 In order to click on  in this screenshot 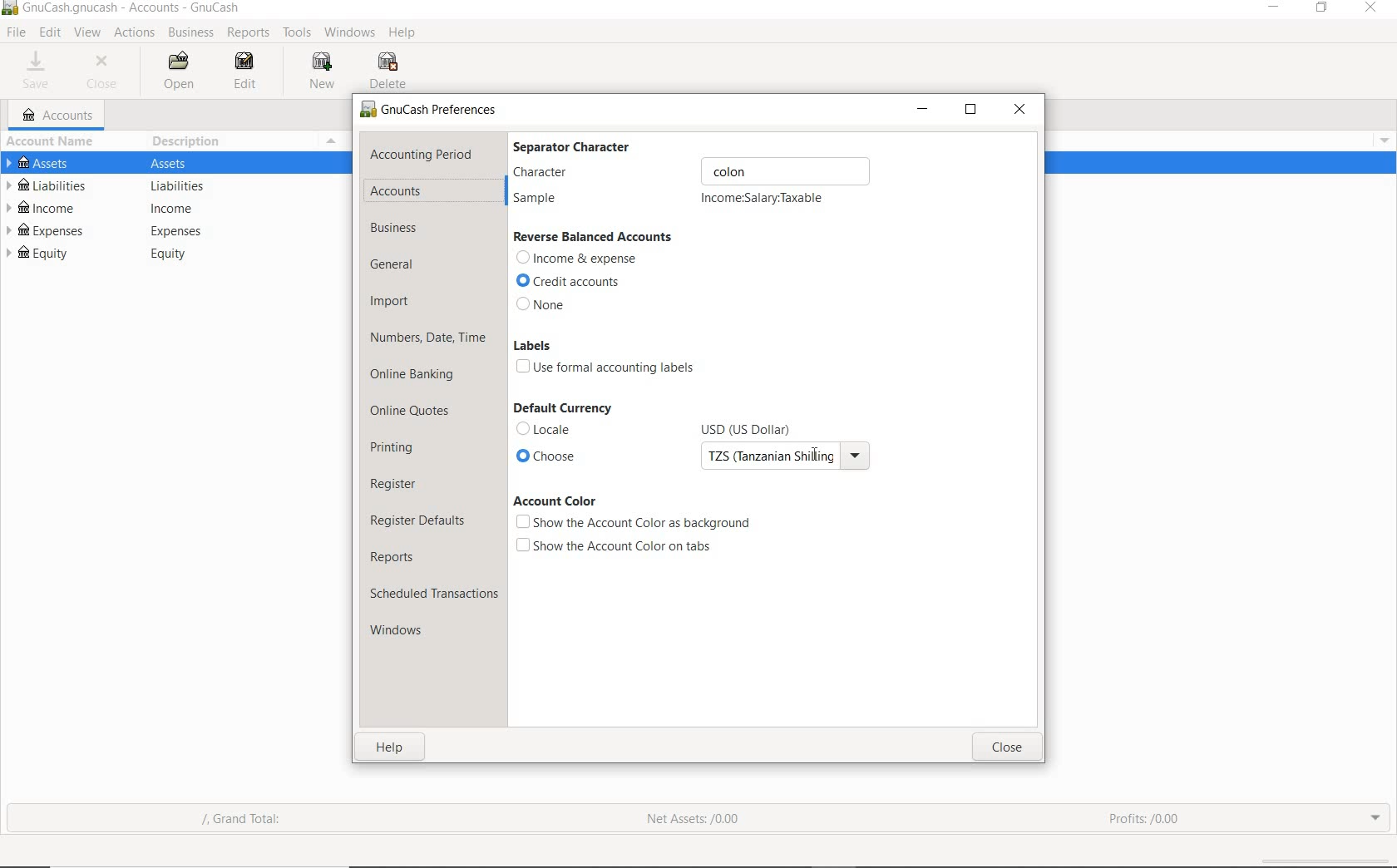, I will do `click(182, 209)`.